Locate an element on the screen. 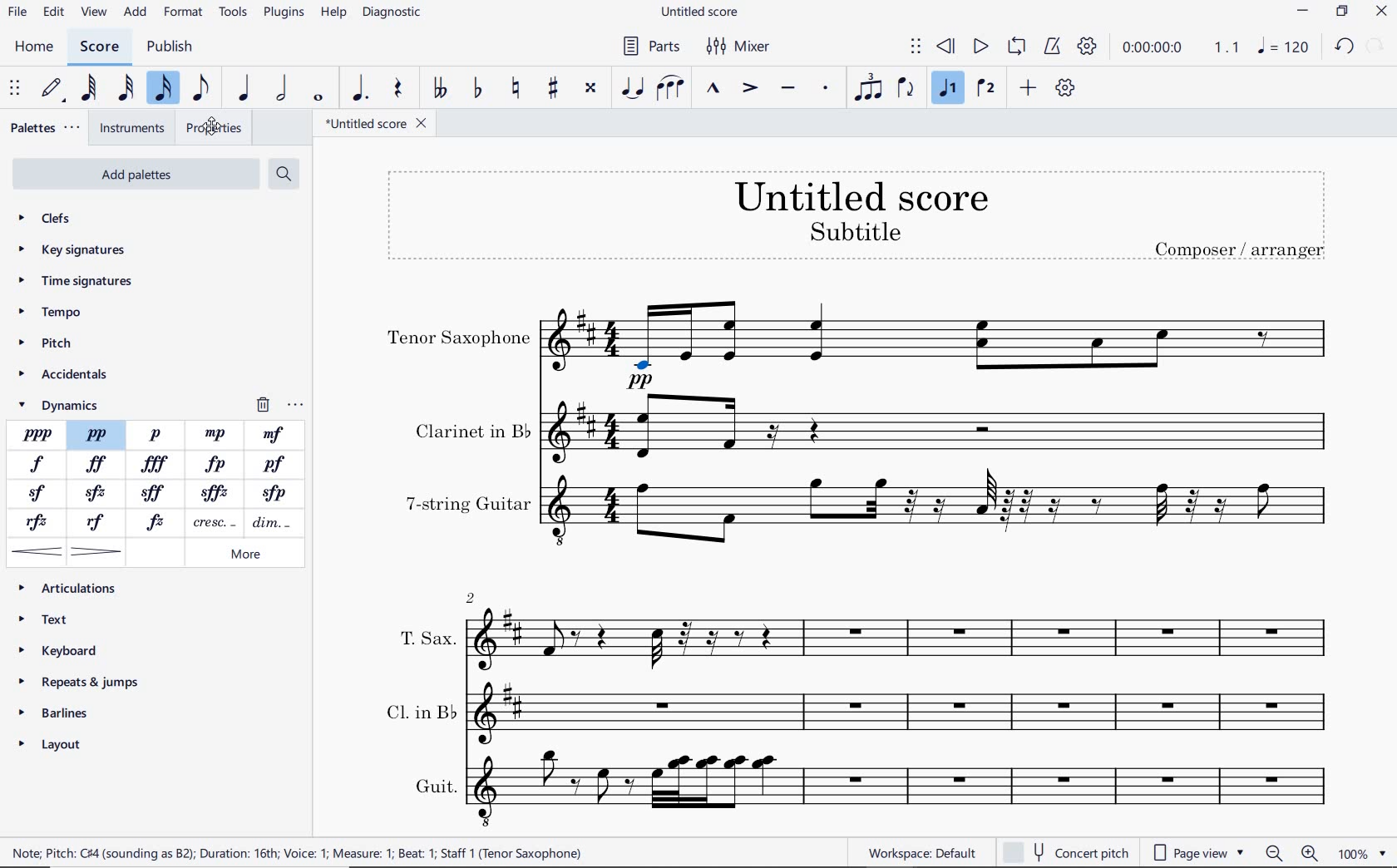 Image resolution: width=1397 pixels, height=868 pixels. PF(PIANOFORTE) is located at coordinates (276, 465).